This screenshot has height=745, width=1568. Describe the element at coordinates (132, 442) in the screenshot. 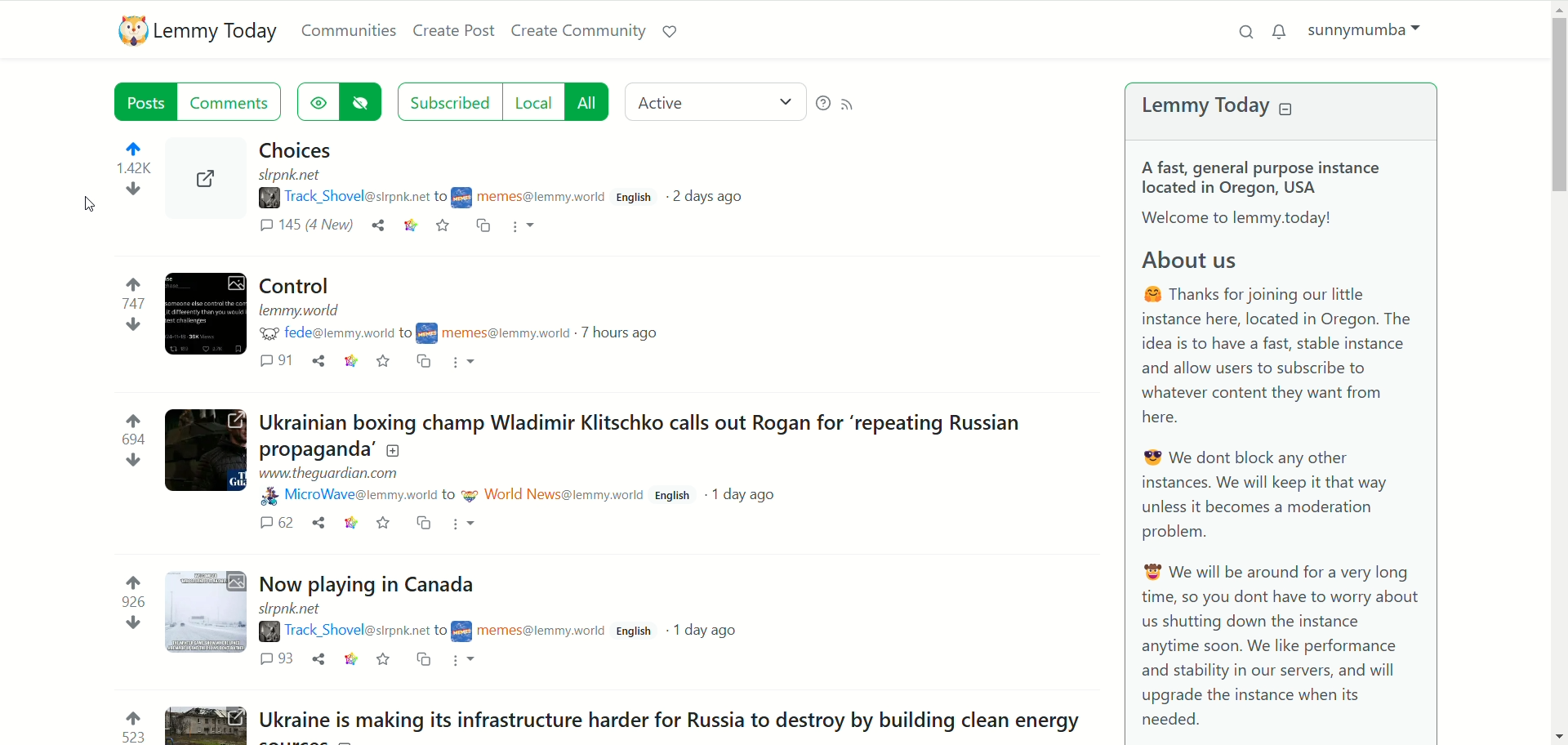

I see `694` at that location.